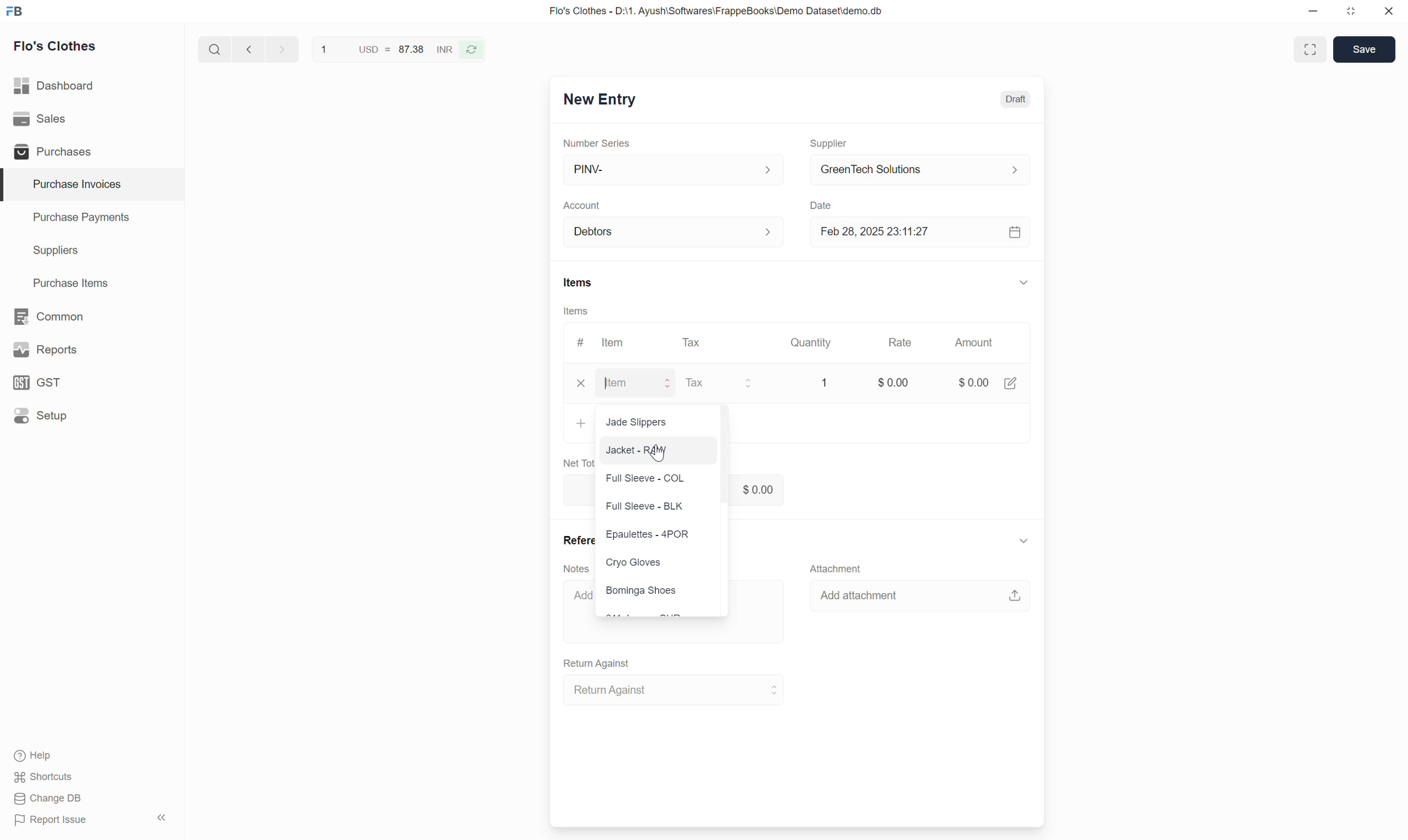  I want to click on $0.00, so click(893, 383).